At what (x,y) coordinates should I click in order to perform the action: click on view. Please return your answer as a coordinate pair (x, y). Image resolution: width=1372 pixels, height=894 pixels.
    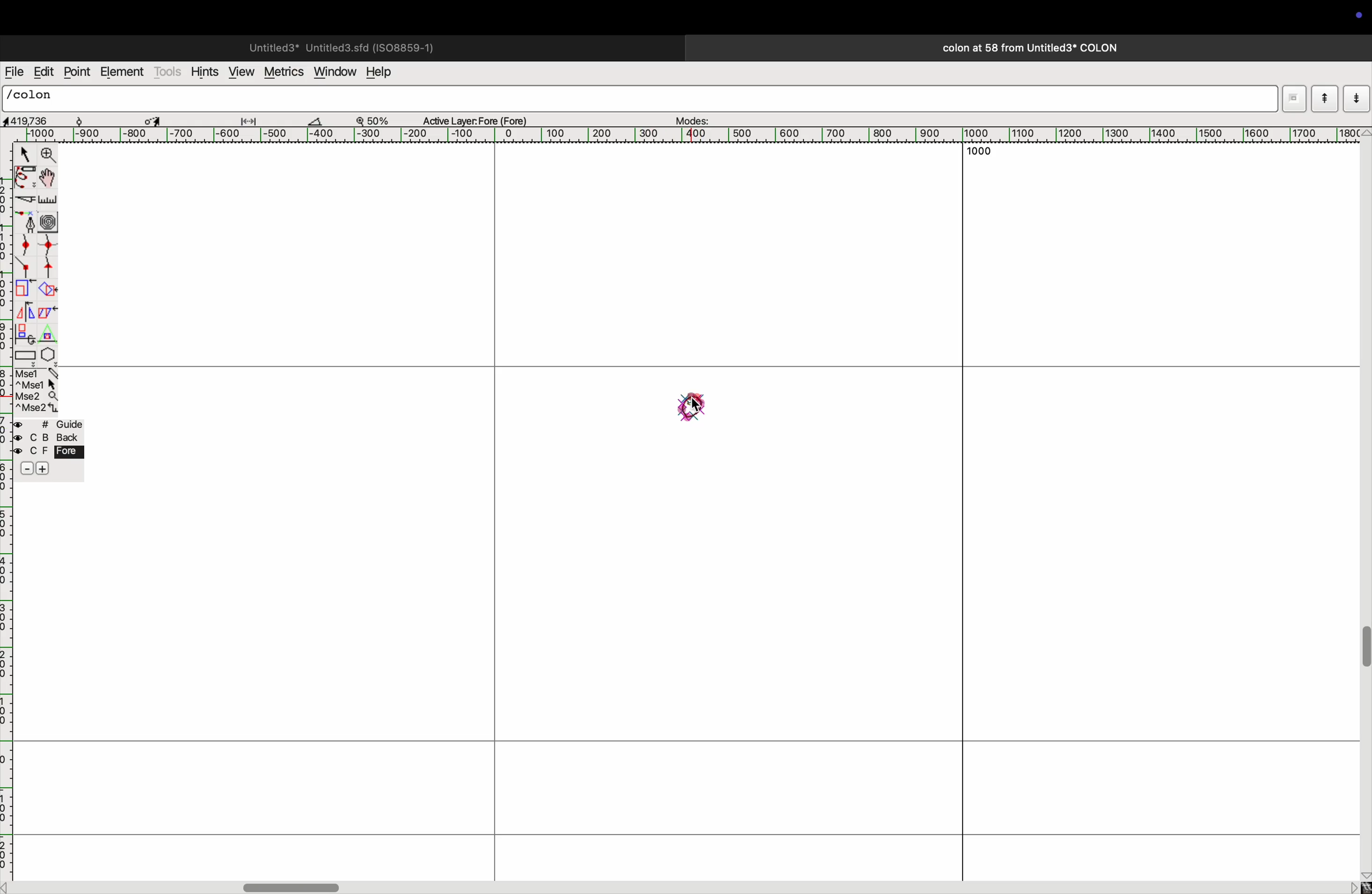
    Looking at the image, I should click on (240, 72).